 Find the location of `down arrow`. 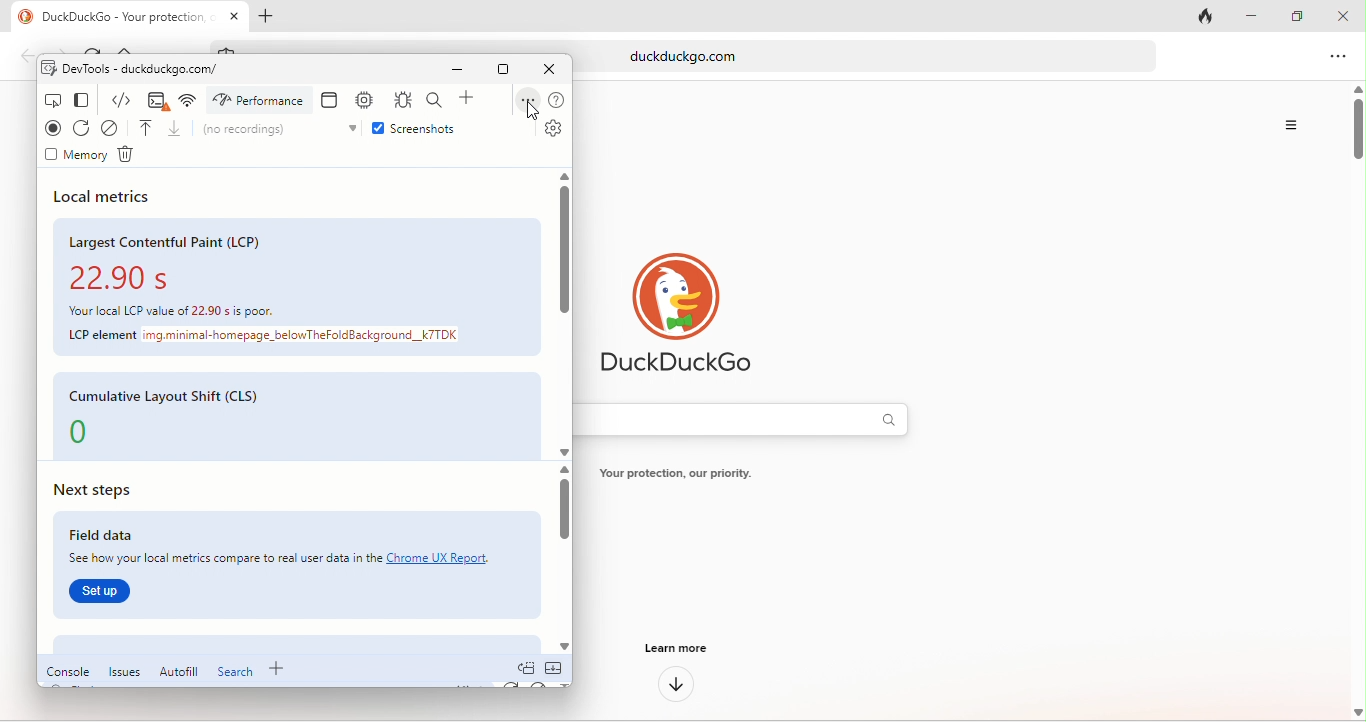

down arrow is located at coordinates (677, 685).